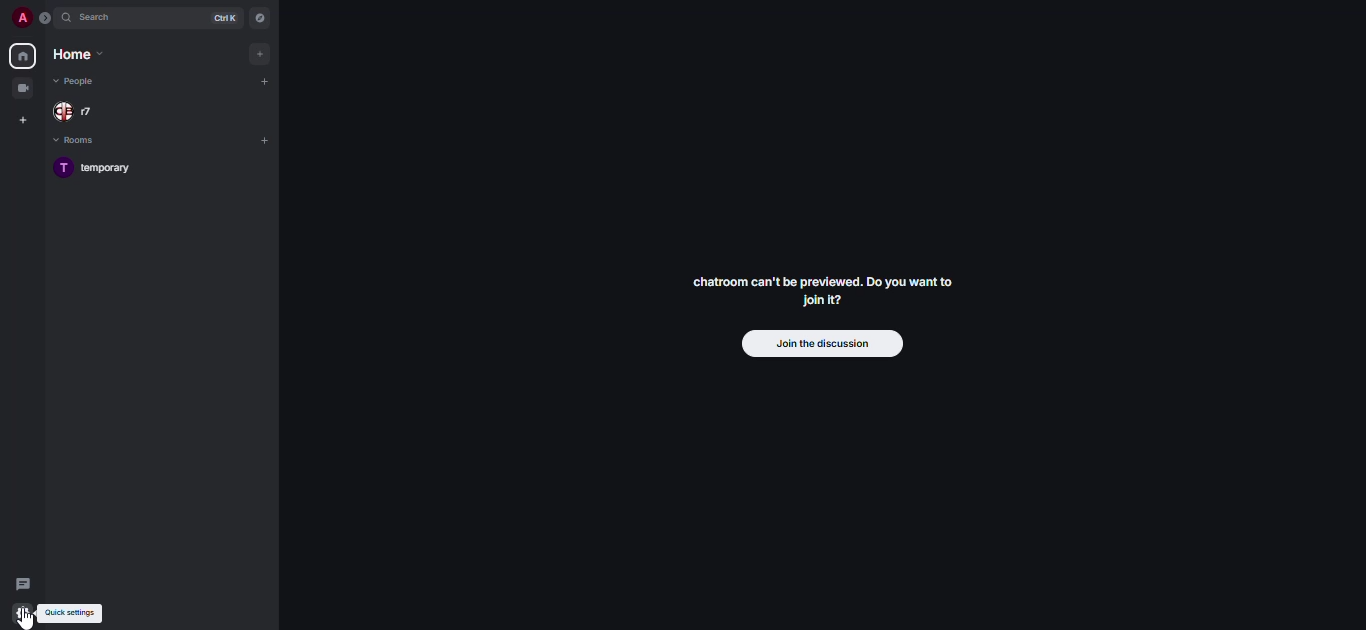 The height and width of the screenshot is (630, 1366). Describe the element at coordinates (264, 83) in the screenshot. I see `add` at that location.